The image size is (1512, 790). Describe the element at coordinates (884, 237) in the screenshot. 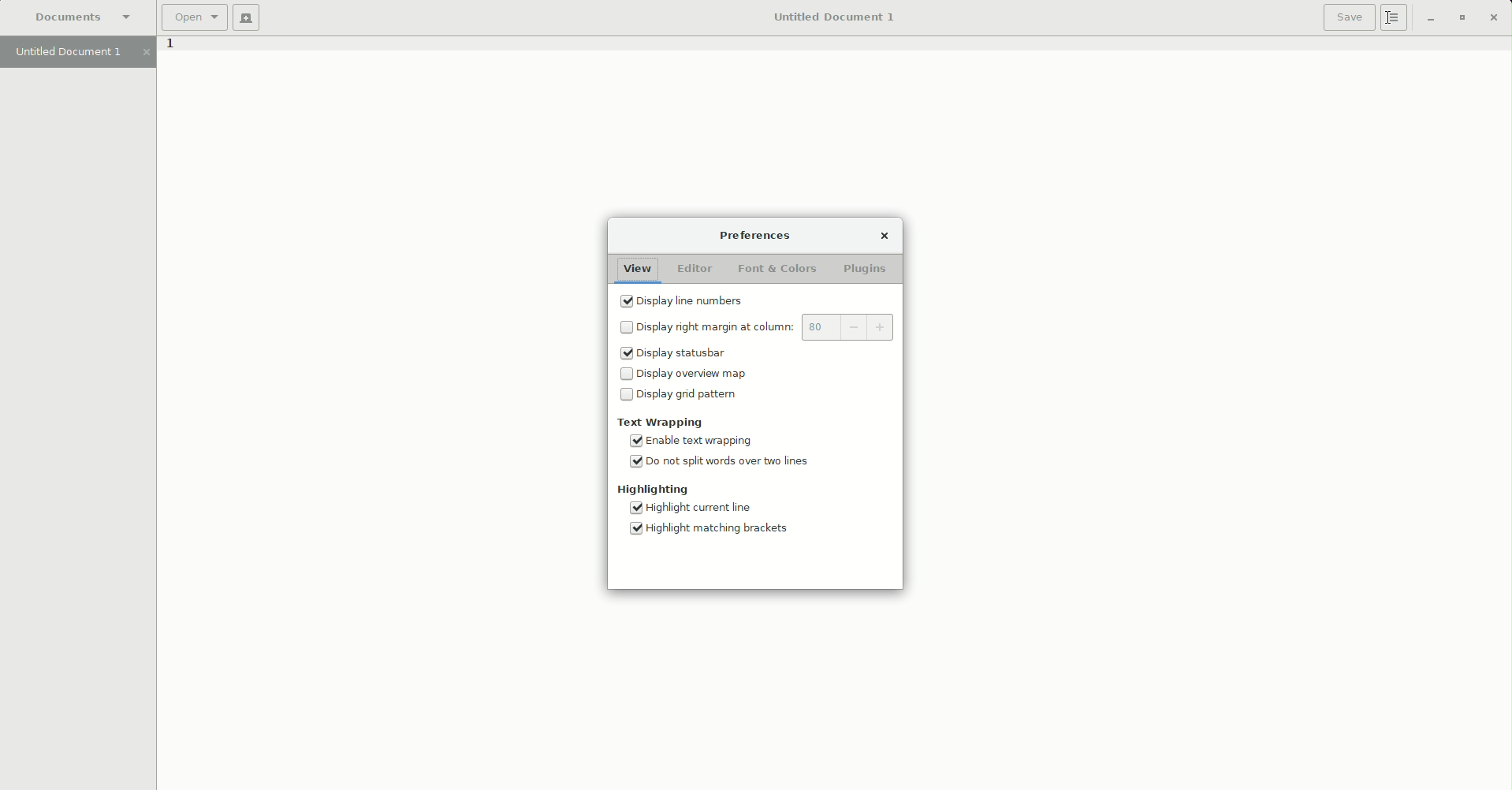

I see `Close` at that location.